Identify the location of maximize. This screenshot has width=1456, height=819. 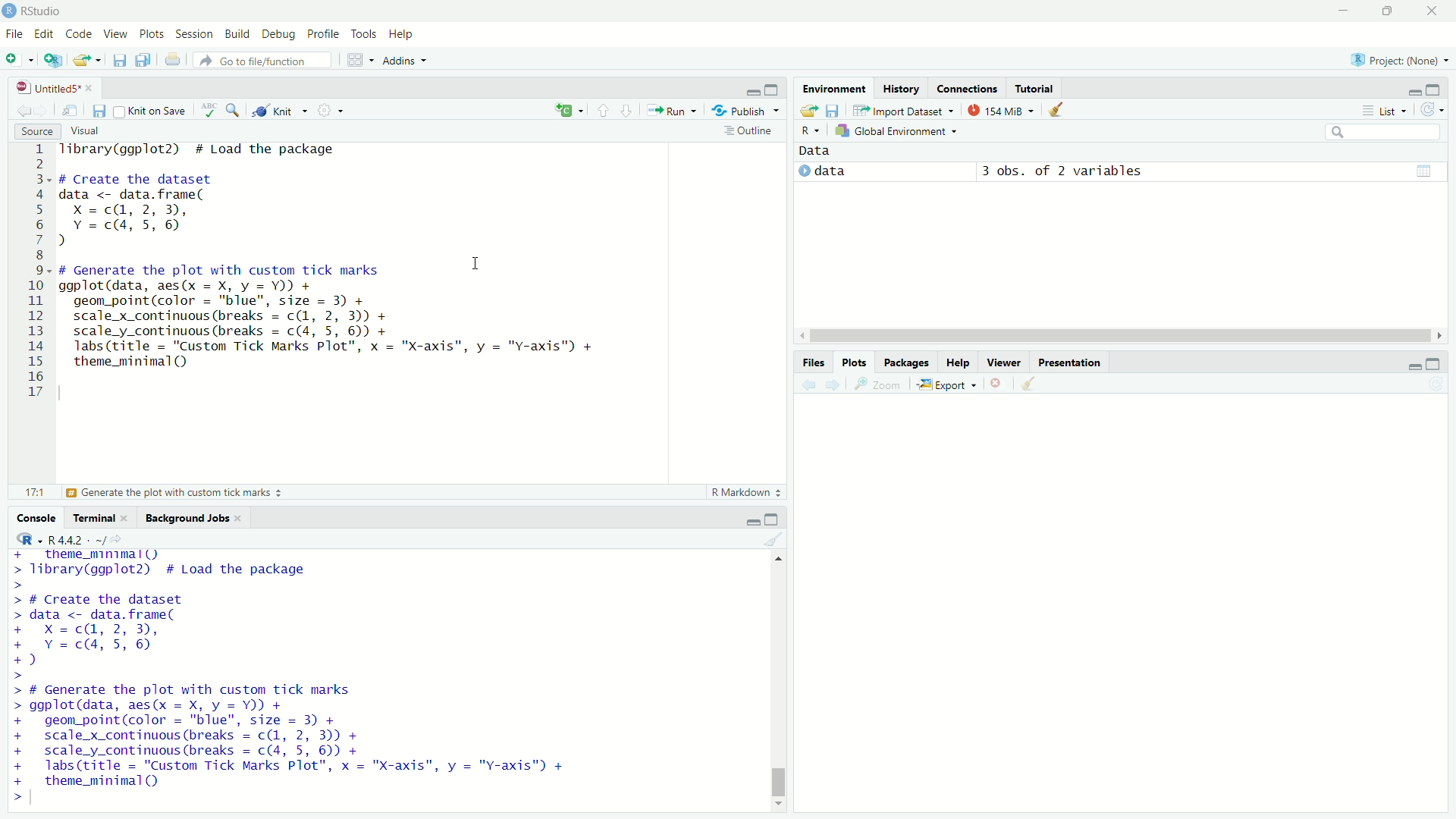
(773, 89).